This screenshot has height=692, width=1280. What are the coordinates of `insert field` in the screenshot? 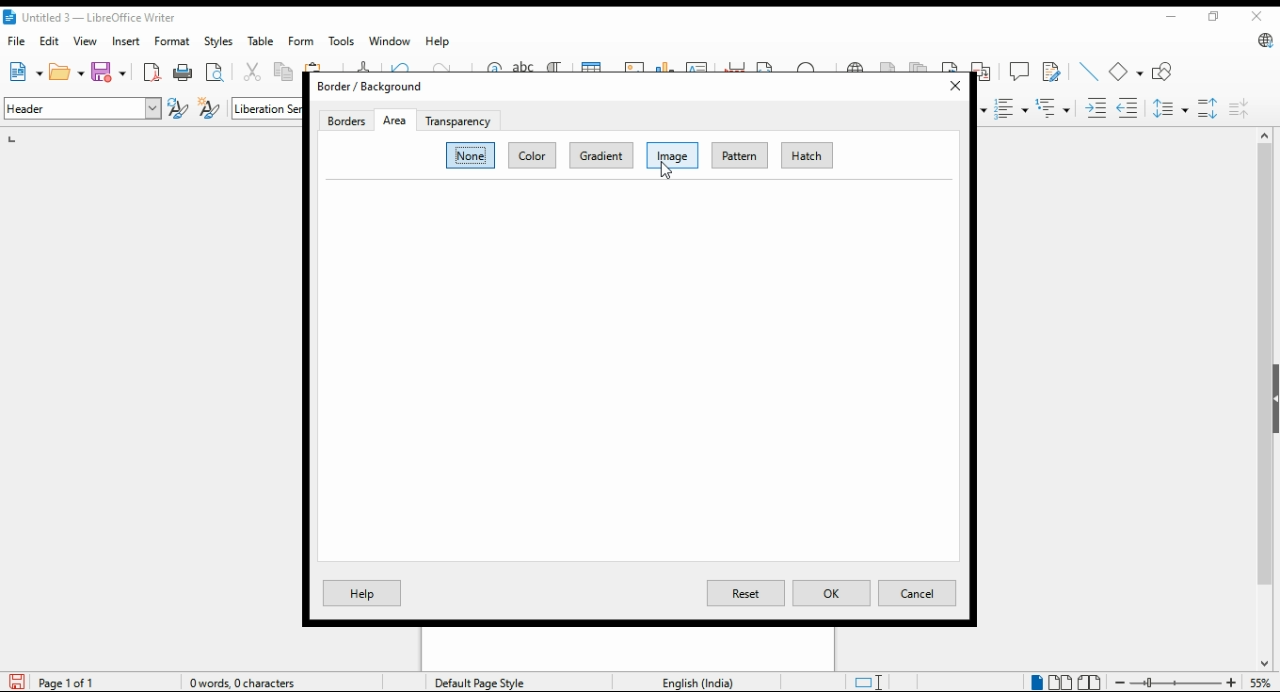 It's located at (773, 65).